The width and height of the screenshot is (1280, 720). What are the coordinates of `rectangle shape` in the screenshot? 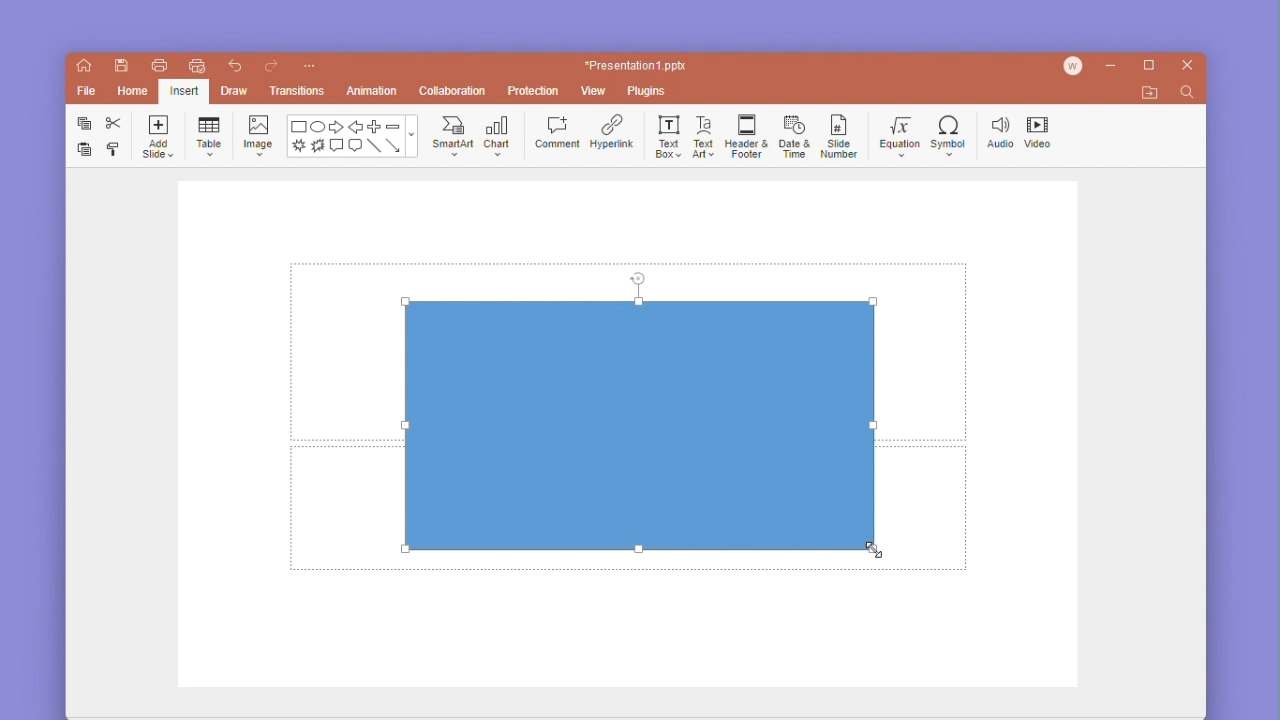 It's located at (298, 127).